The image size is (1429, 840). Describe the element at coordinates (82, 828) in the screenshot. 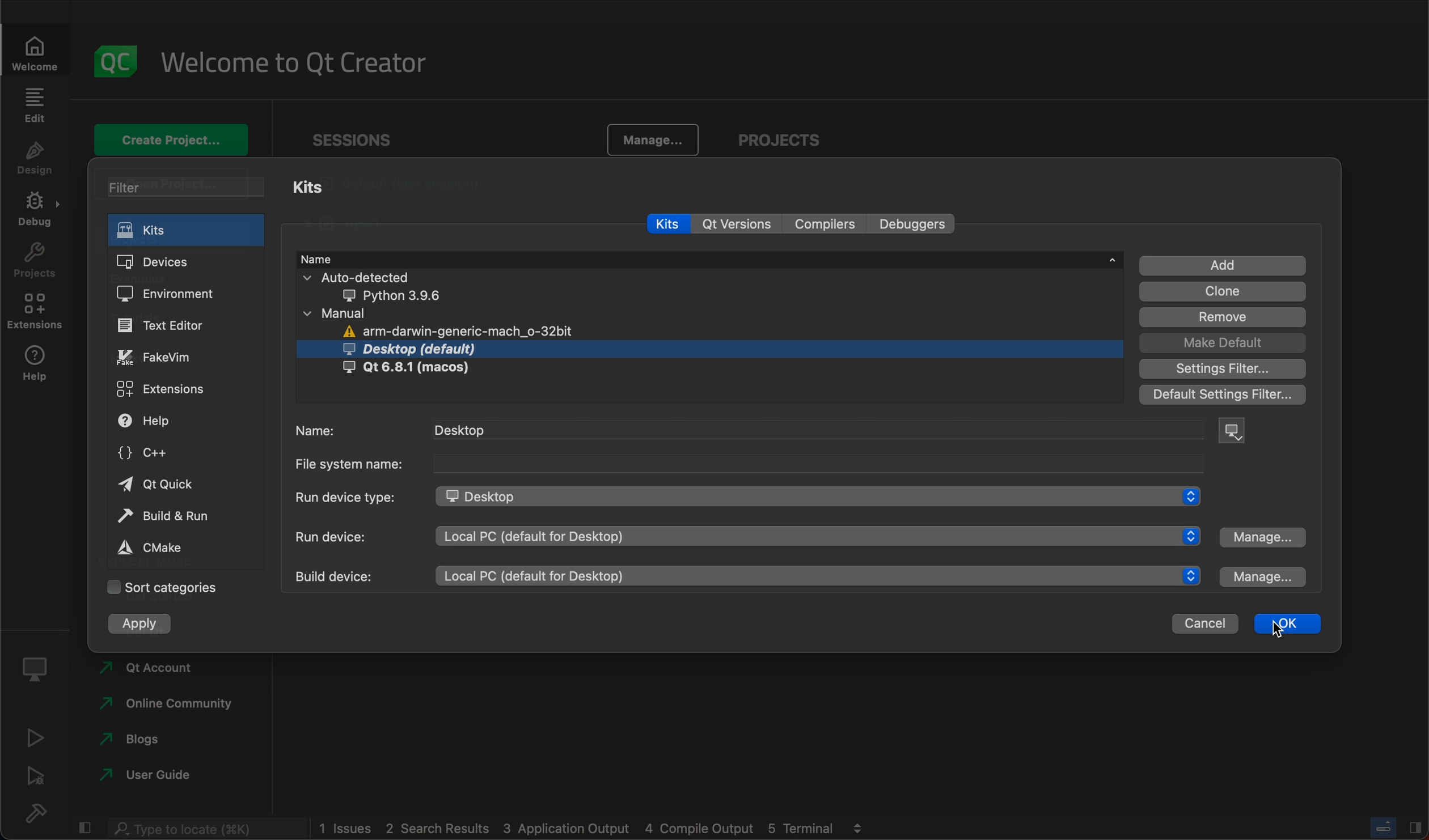

I see `hide/show left sidebar` at that location.